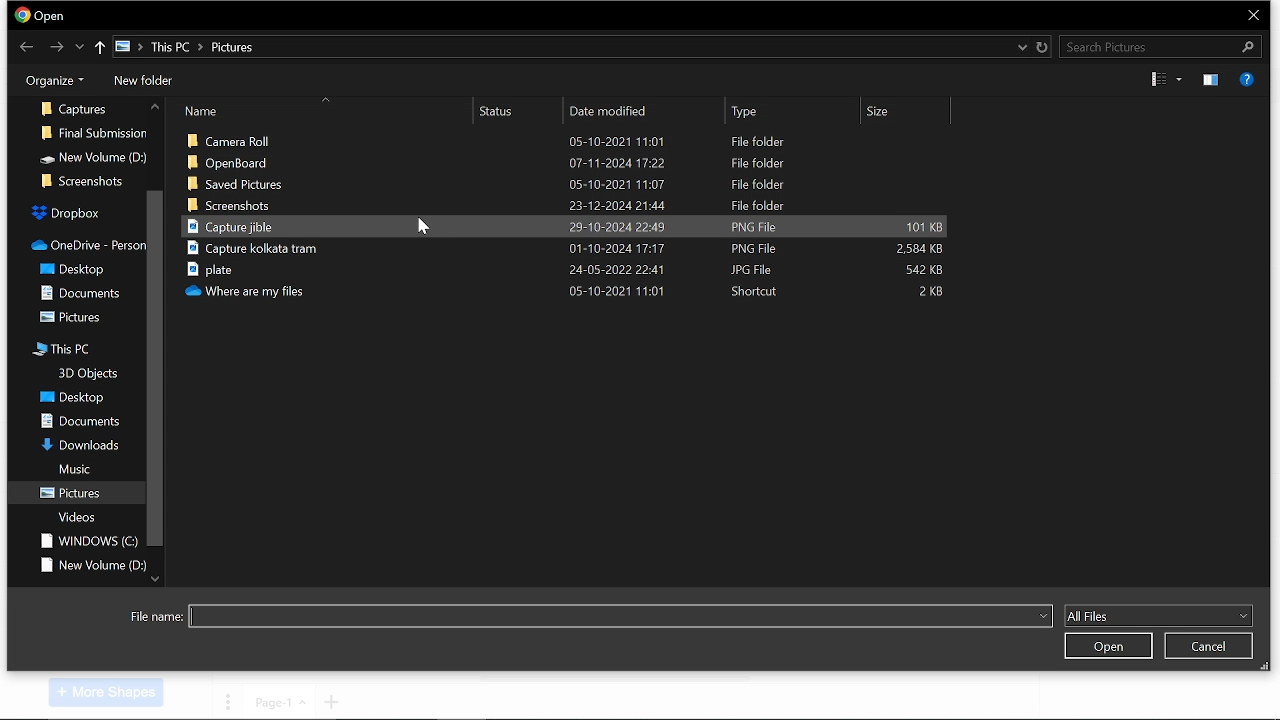 Image resolution: width=1280 pixels, height=720 pixels. What do you see at coordinates (561, 205) in the screenshot?
I see `files` at bounding box center [561, 205].